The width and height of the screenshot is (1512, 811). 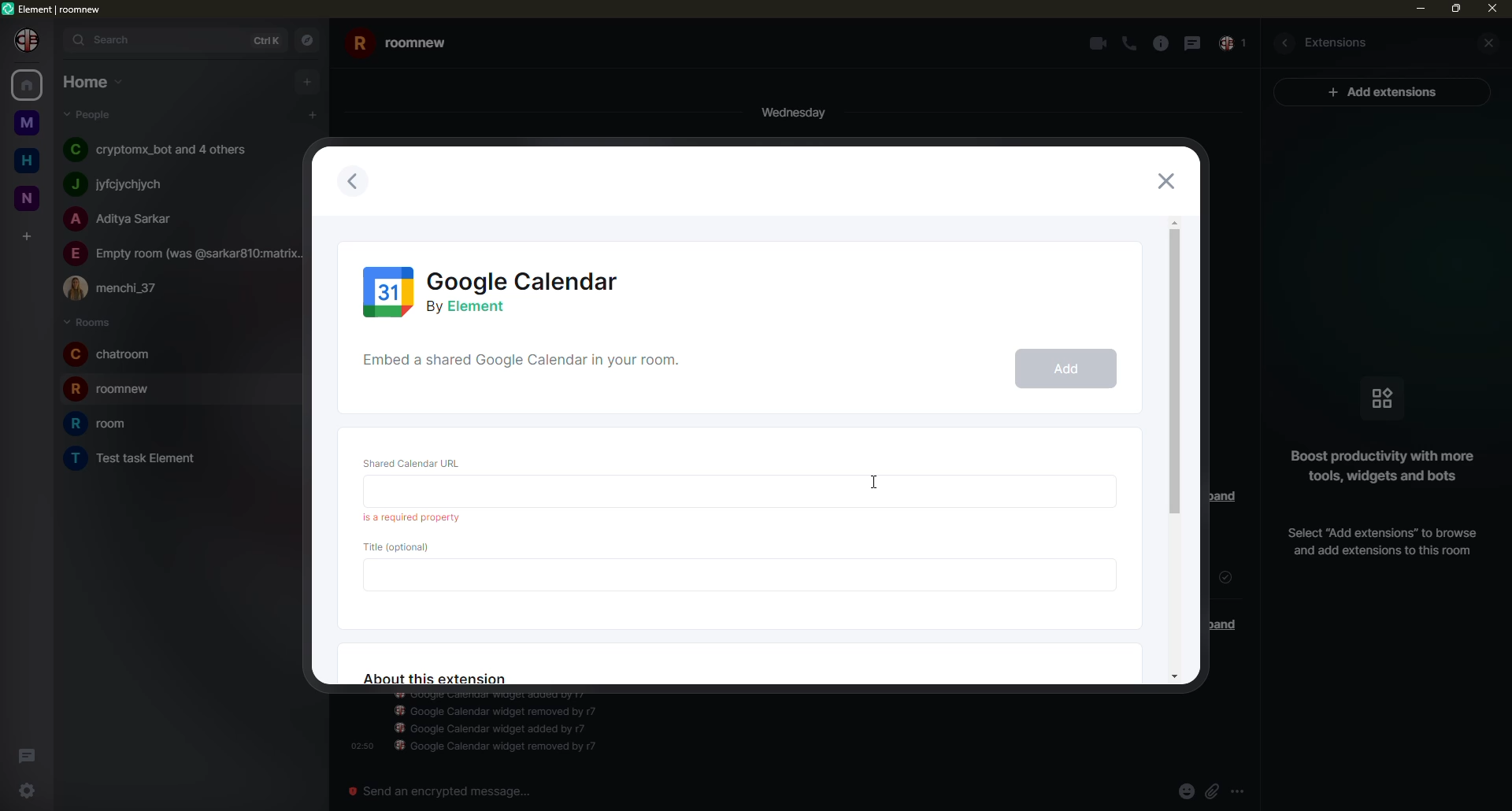 I want to click on settings, so click(x=31, y=794).